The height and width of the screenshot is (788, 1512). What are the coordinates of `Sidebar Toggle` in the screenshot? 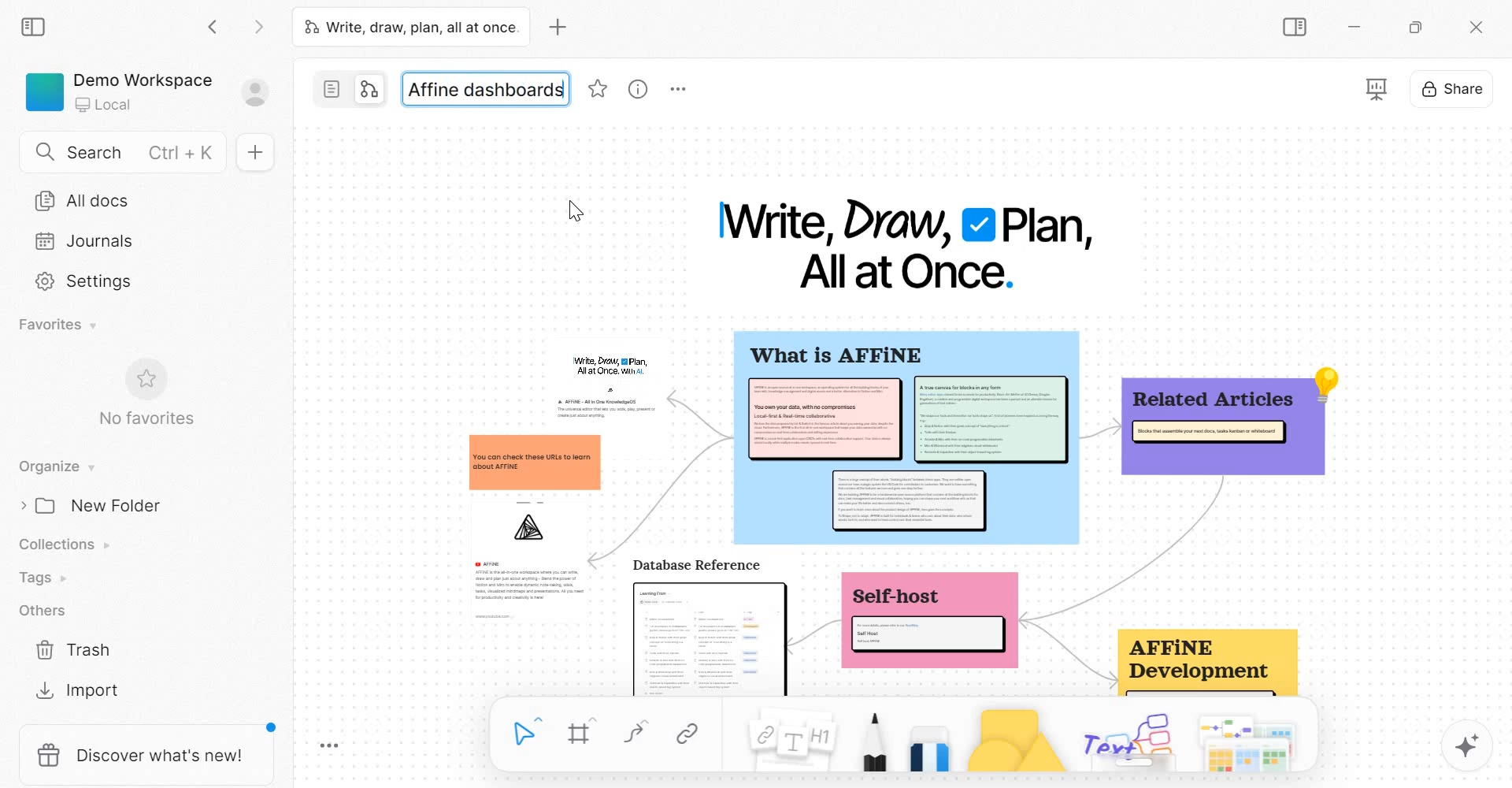 It's located at (1295, 28).